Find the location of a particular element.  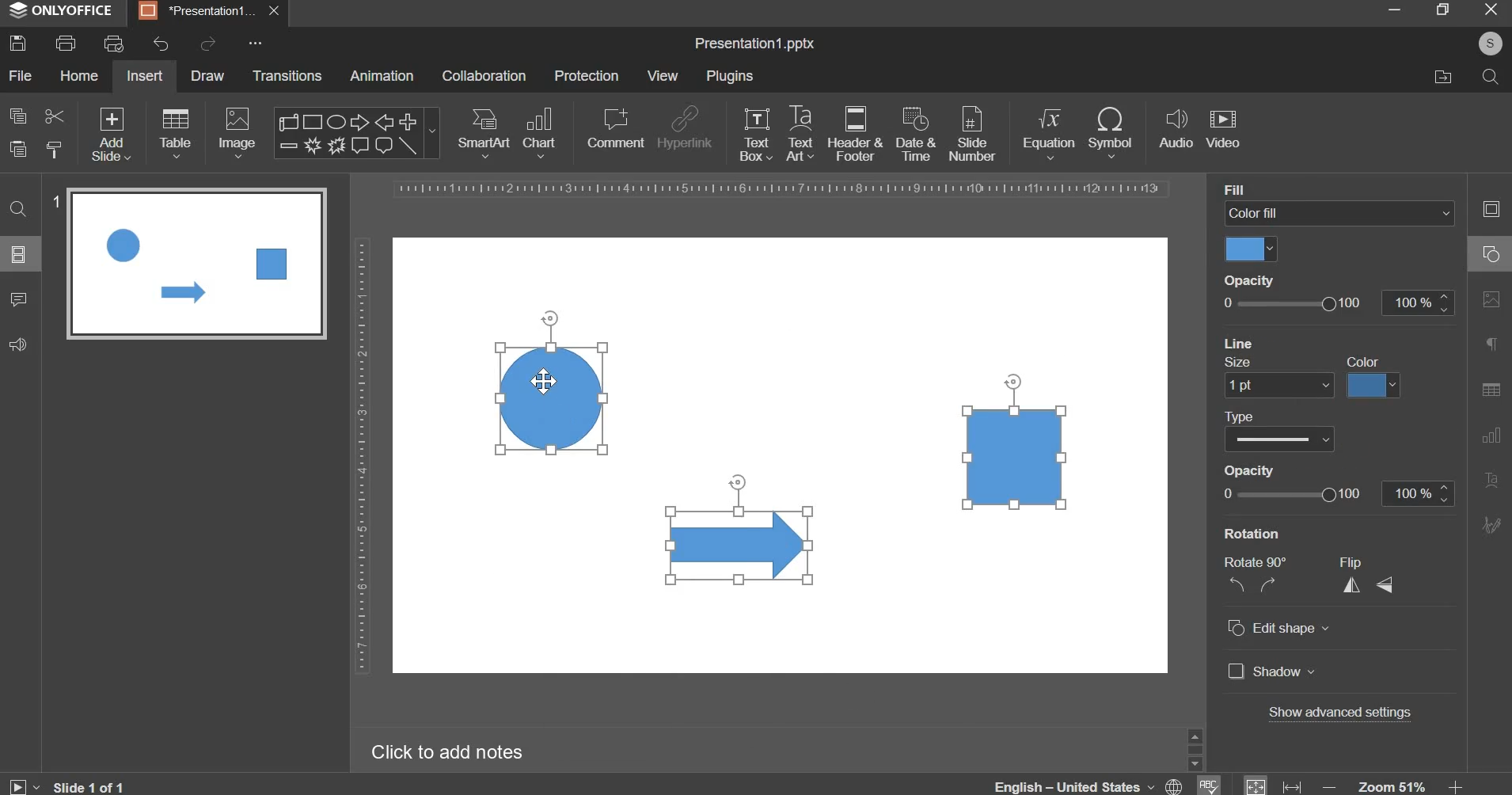

table is located at coordinates (176, 132).